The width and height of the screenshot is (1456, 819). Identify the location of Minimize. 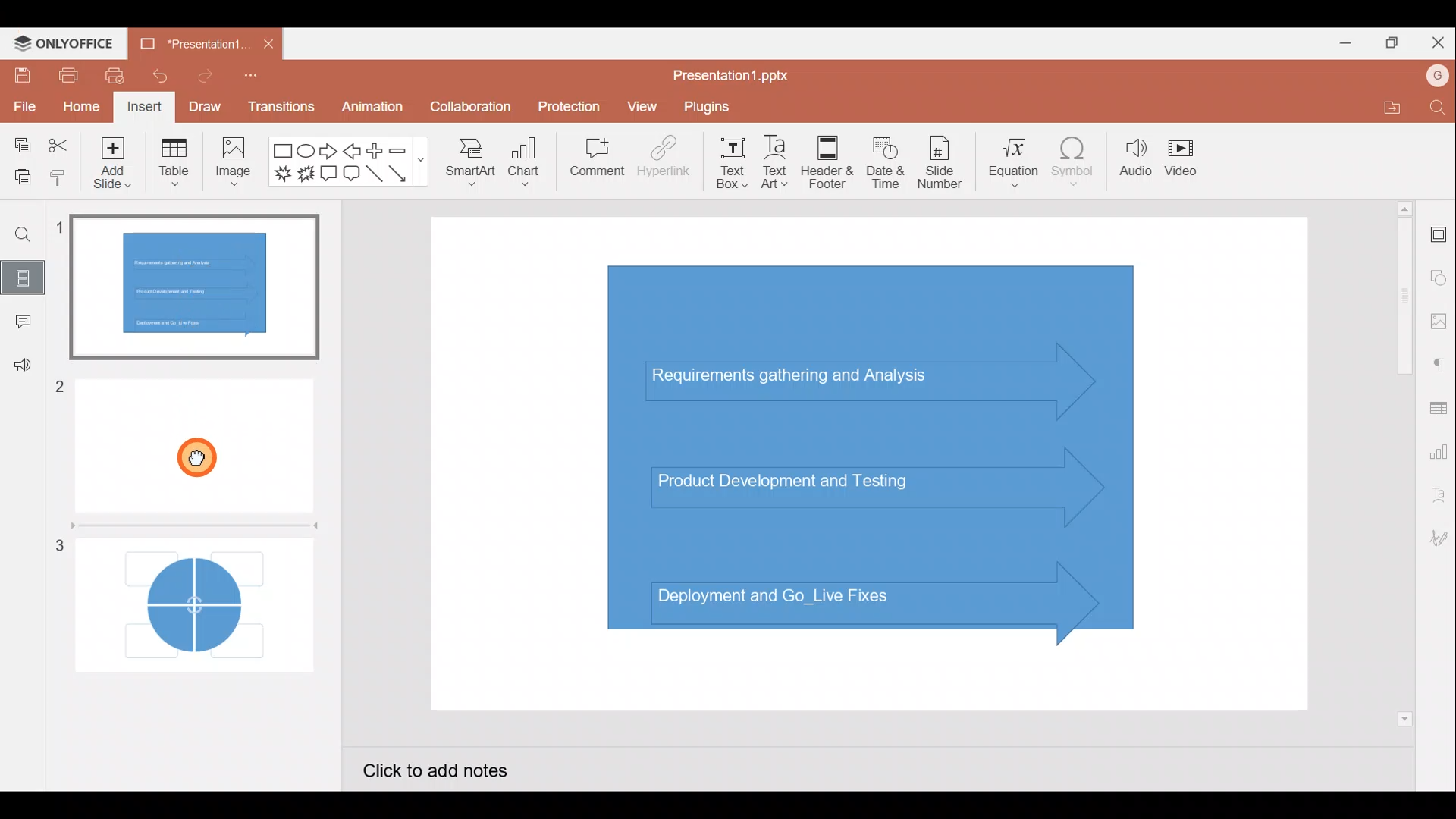
(1341, 45).